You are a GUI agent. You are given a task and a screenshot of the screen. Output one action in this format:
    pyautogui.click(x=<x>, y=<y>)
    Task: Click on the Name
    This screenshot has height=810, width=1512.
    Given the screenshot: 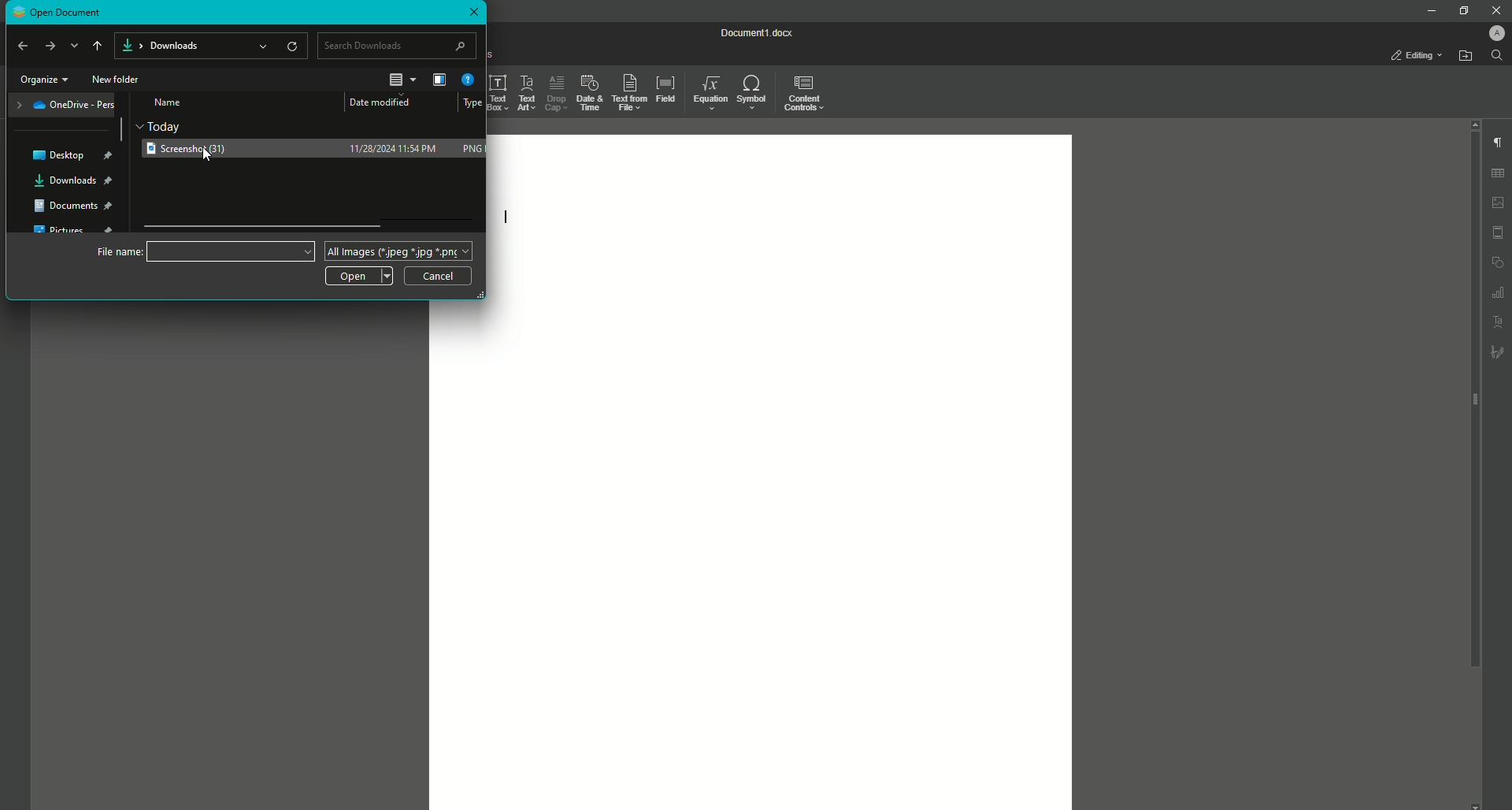 What is the action you would take?
    pyautogui.click(x=170, y=104)
    